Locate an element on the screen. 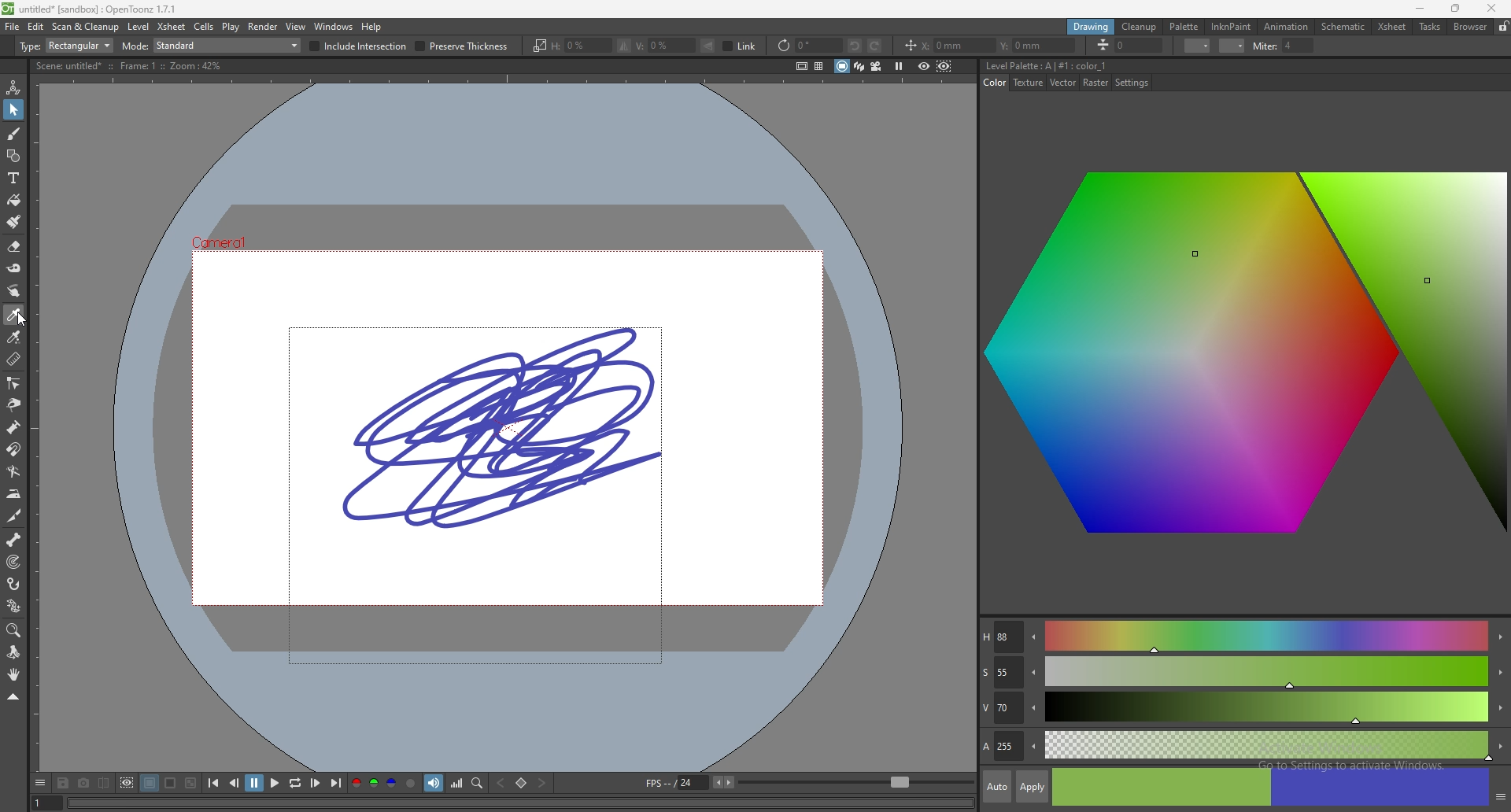 This screenshot has height=812, width=1511. render is located at coordinates (264, 26).